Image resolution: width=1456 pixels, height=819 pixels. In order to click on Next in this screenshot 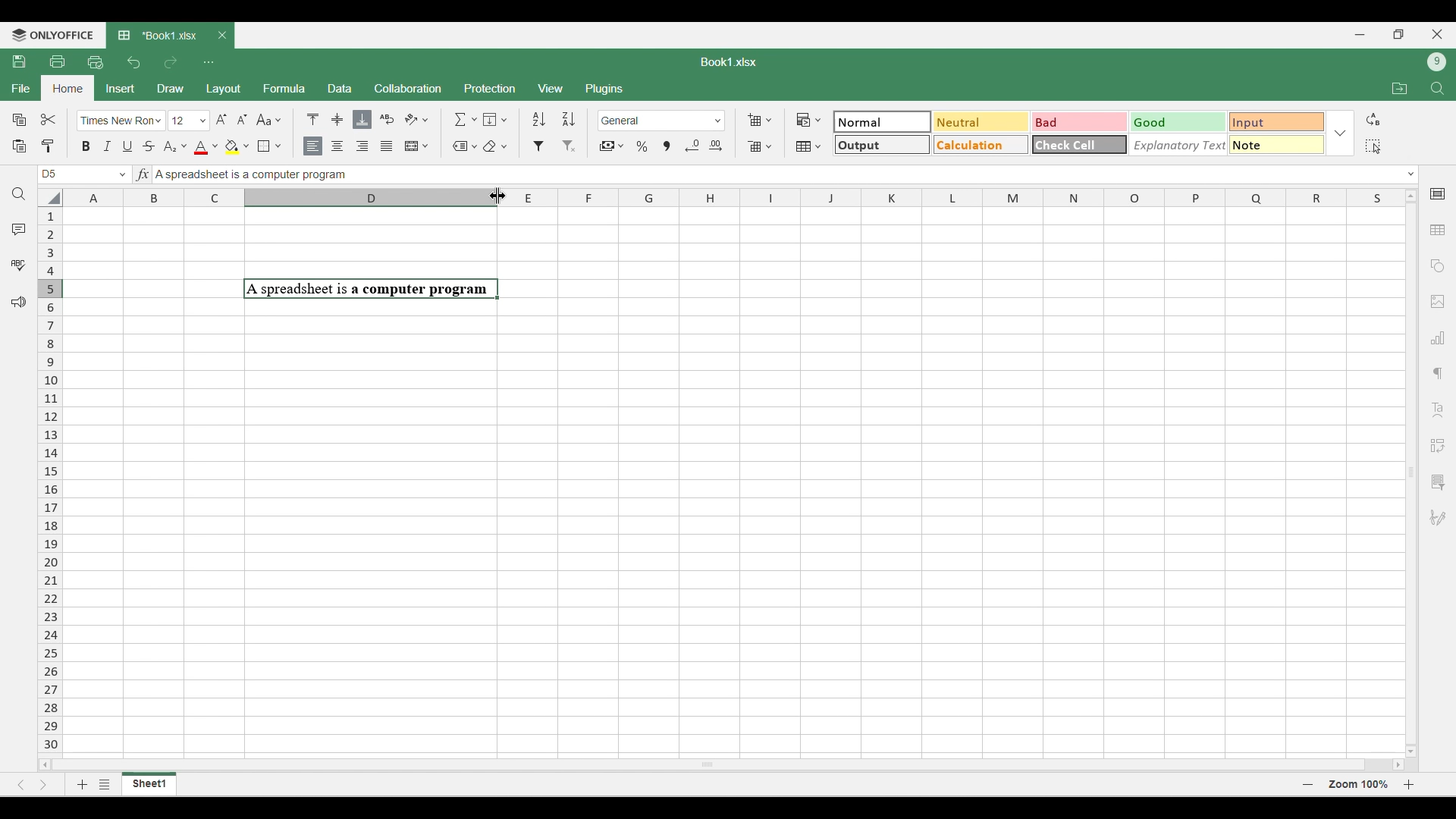, I will do `click(44, 784)`.